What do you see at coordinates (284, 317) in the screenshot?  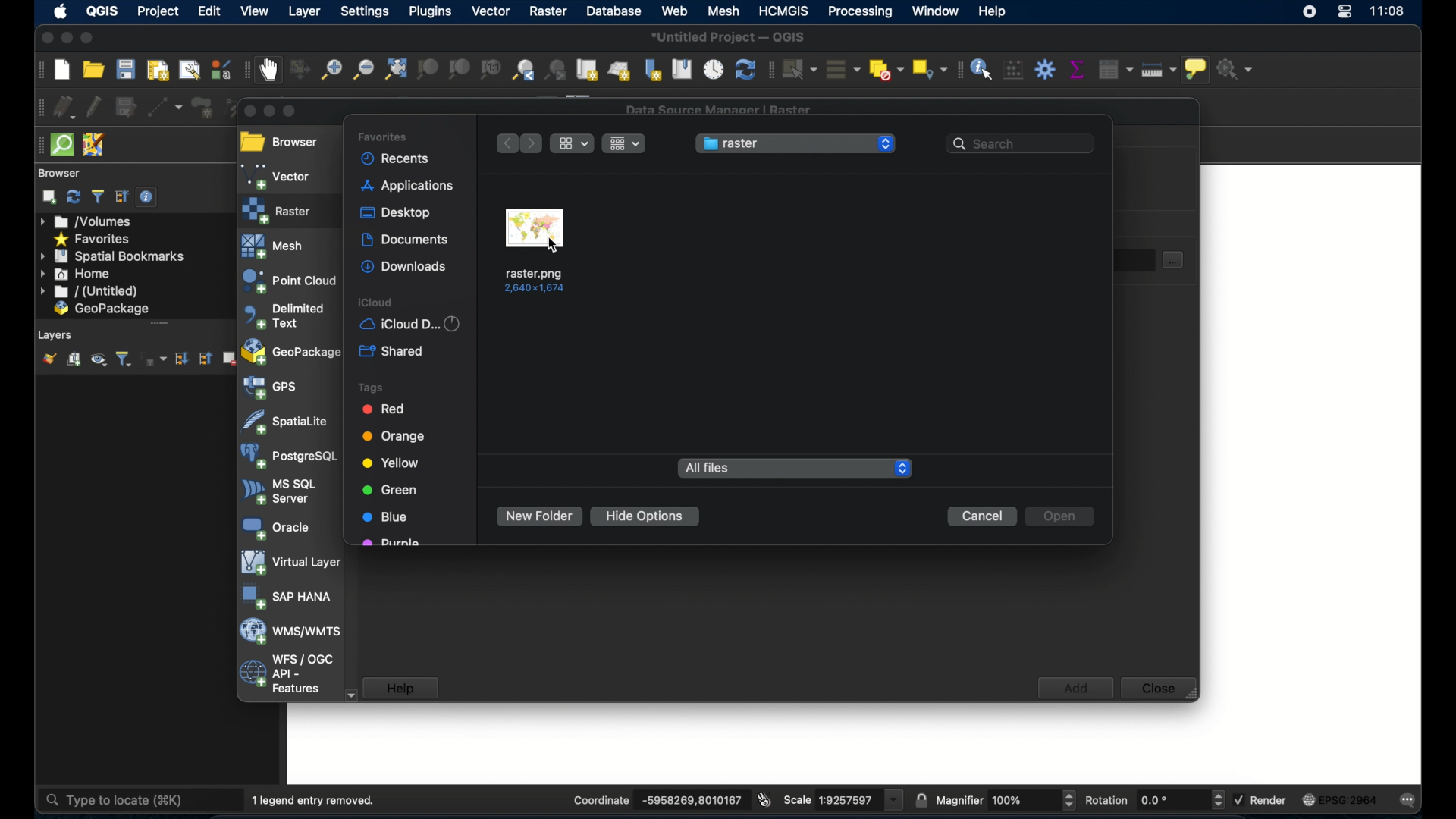 I see `delimited text` at bounding box center [284, 317].